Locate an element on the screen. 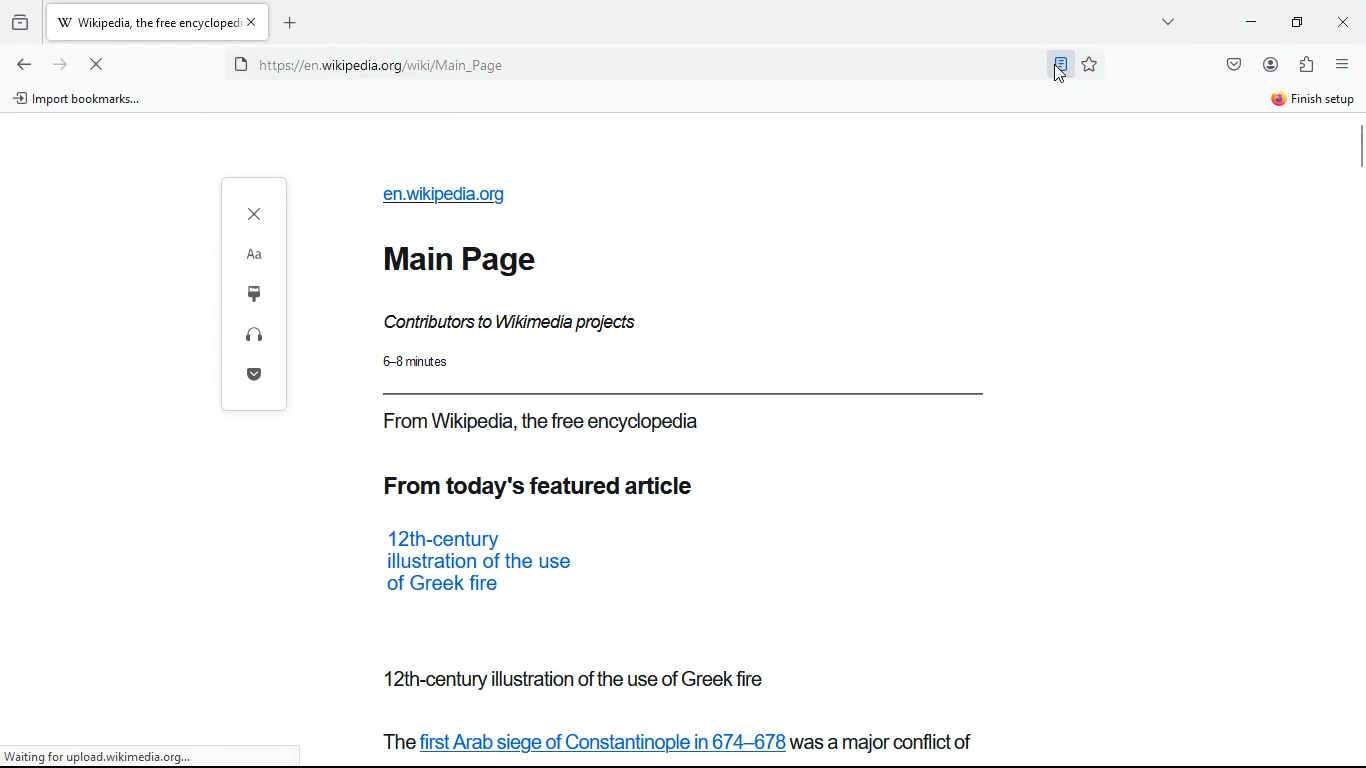  toggle reader view selected is located at coordinates (1060, 68).